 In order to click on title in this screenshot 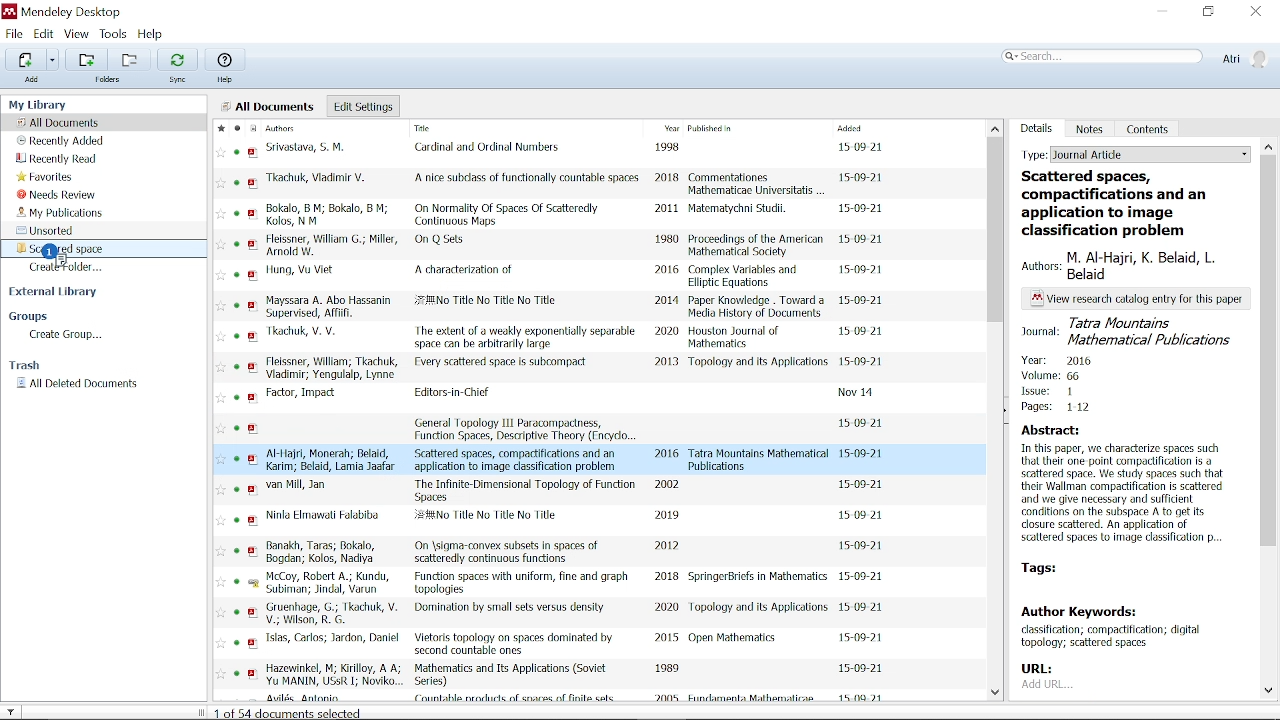, I will do `click(508, 552)`.